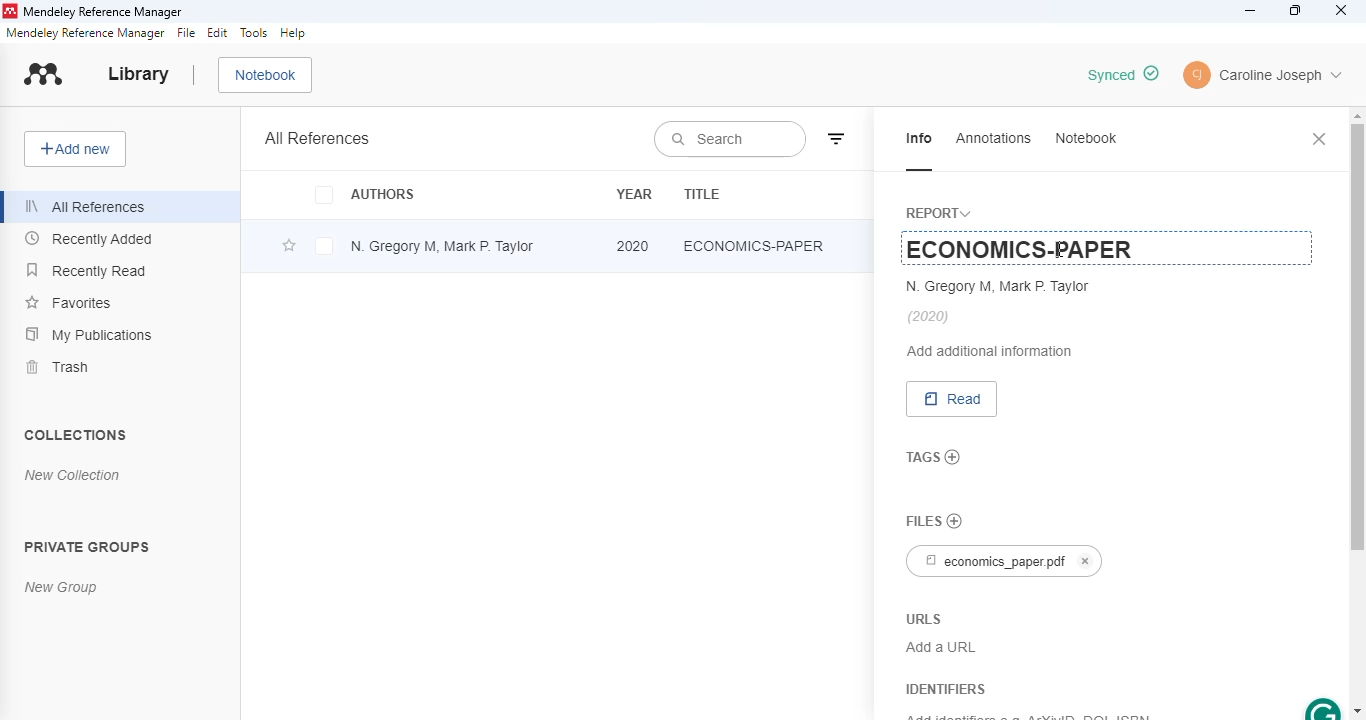 Image resolution: width=1366 pixels, height=720 pixels. What do you see at coordinates (1088, 138) in the screenshot?
I see `notebook` at bounding box center [1088, 138].